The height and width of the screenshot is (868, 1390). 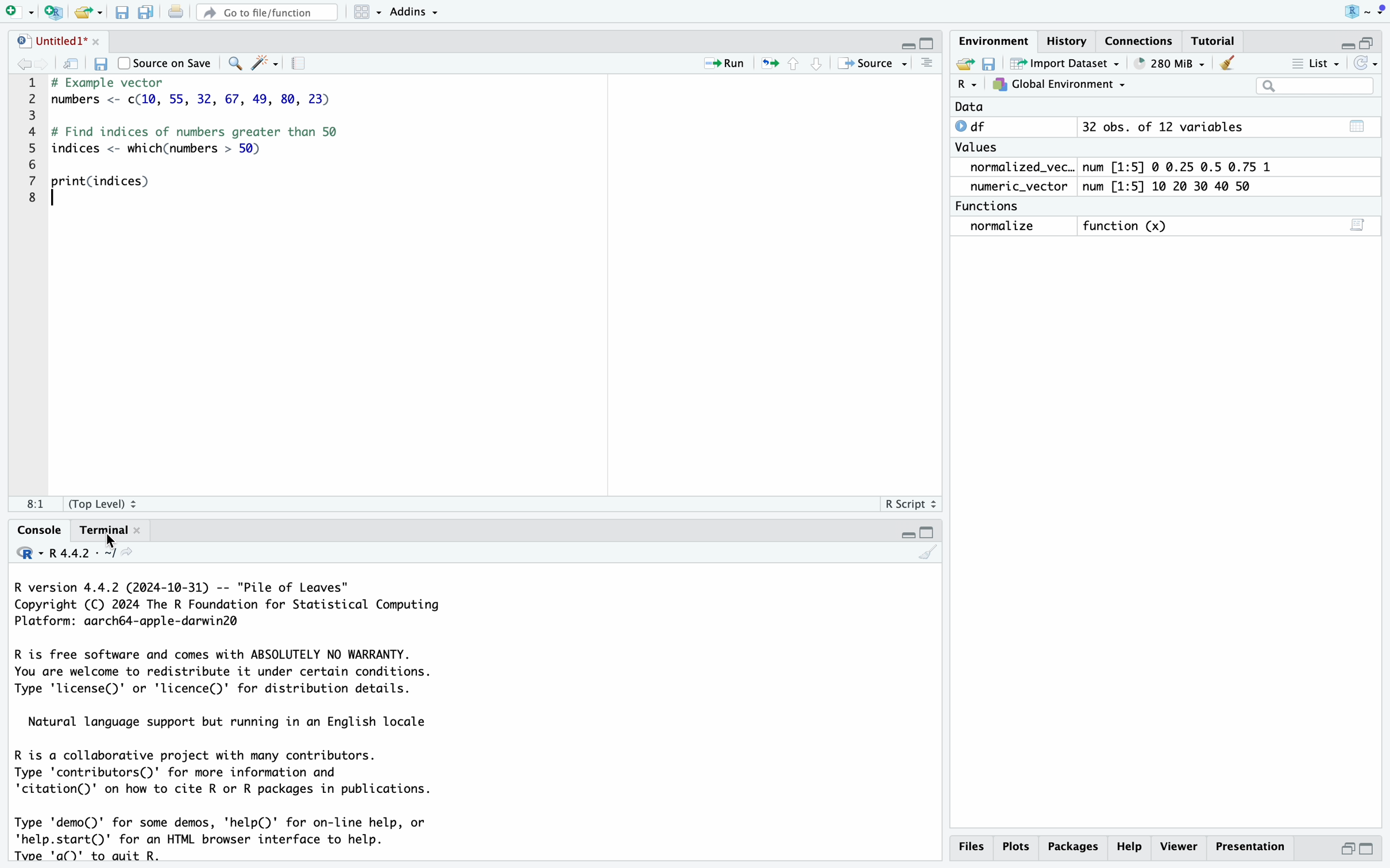 What do you see at coordinates (144, 12) in the screenshot?
I see `save all open document` at bounding box center [144, 12].